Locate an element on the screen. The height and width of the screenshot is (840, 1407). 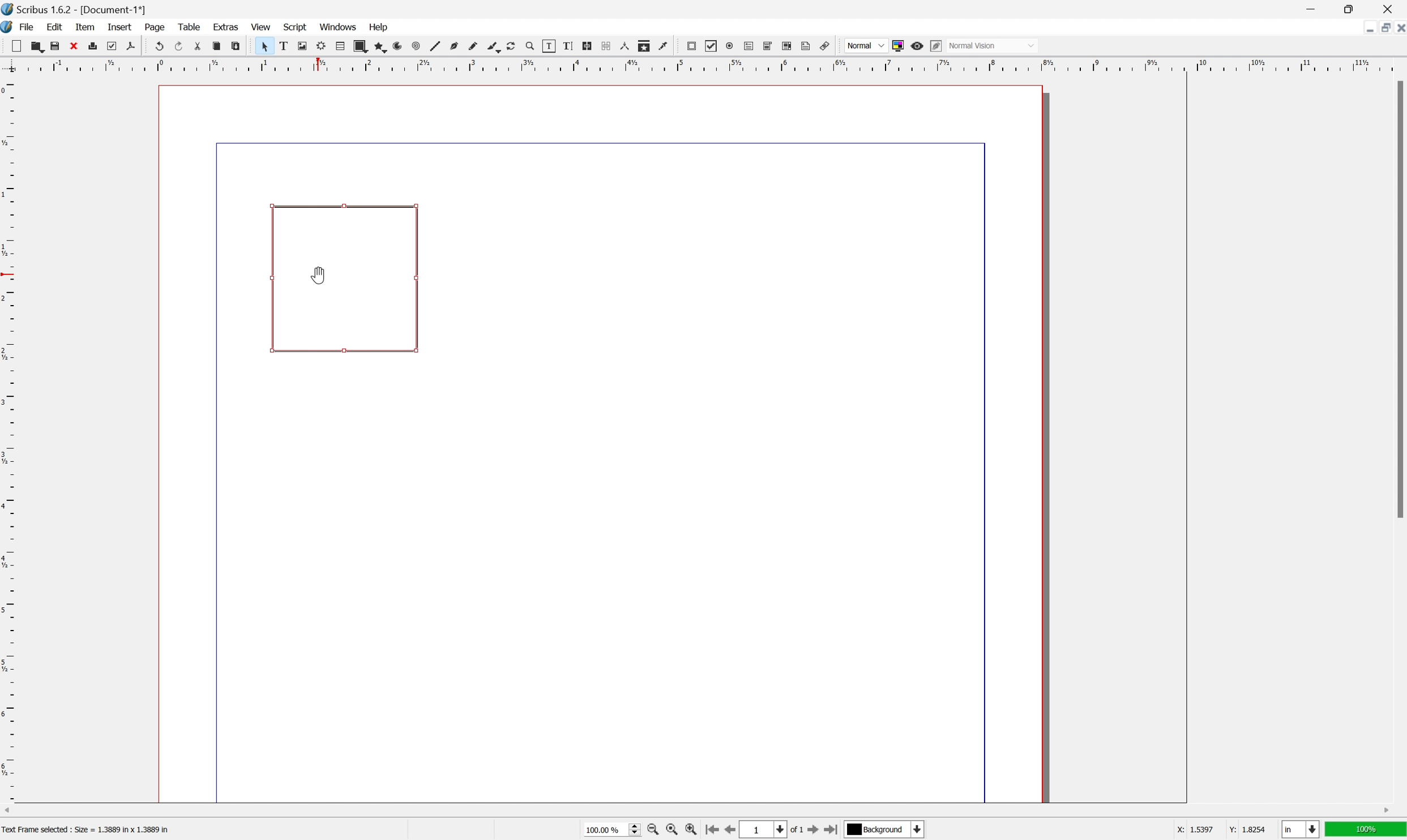
select current layer is located at coordinates (885, 830).